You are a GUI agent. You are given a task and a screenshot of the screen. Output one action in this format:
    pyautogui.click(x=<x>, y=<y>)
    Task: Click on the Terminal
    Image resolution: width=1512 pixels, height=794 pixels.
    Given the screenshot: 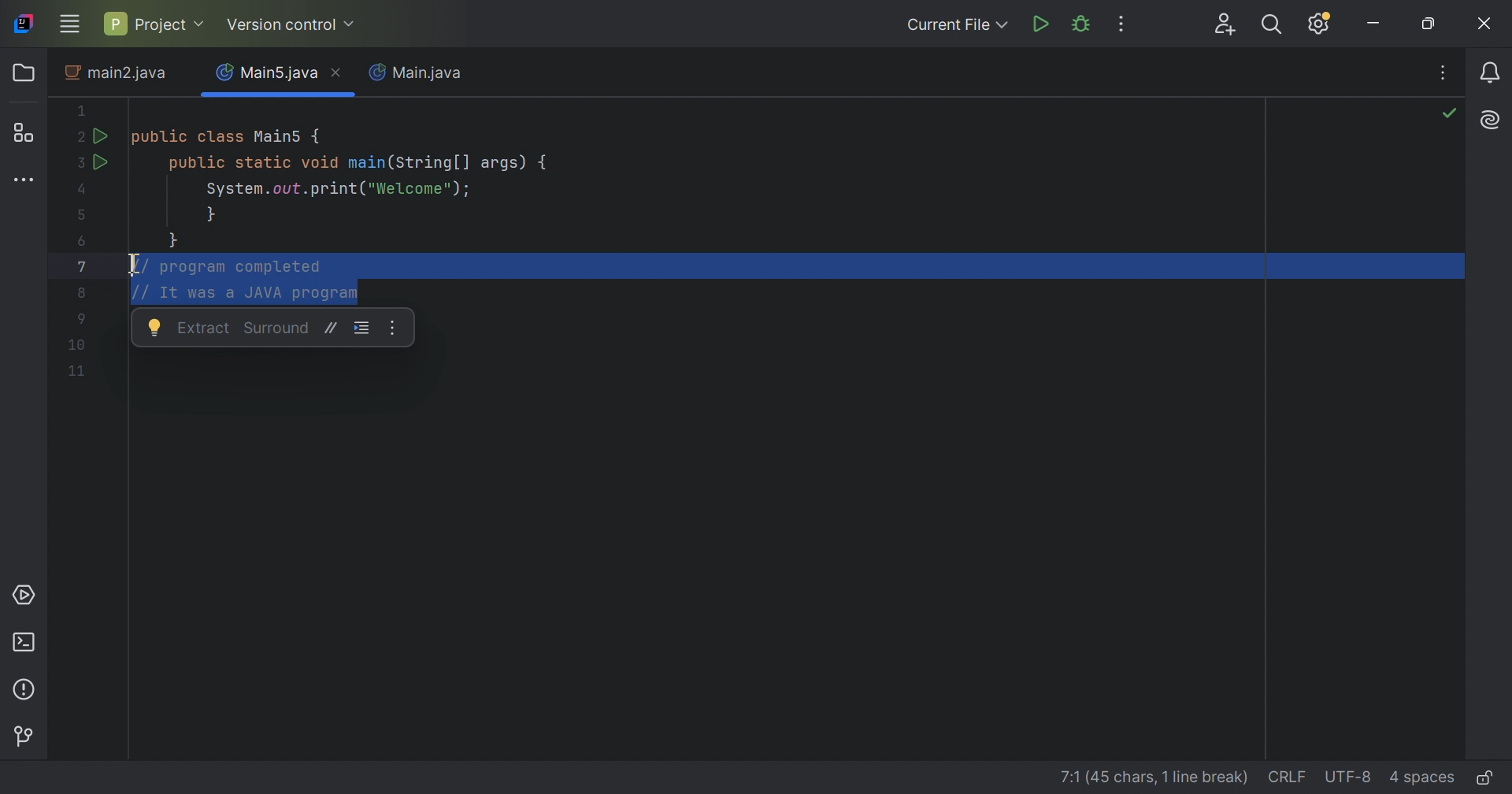 What is the action you would take?
    pyautogui.click(x=27, y=642)
    